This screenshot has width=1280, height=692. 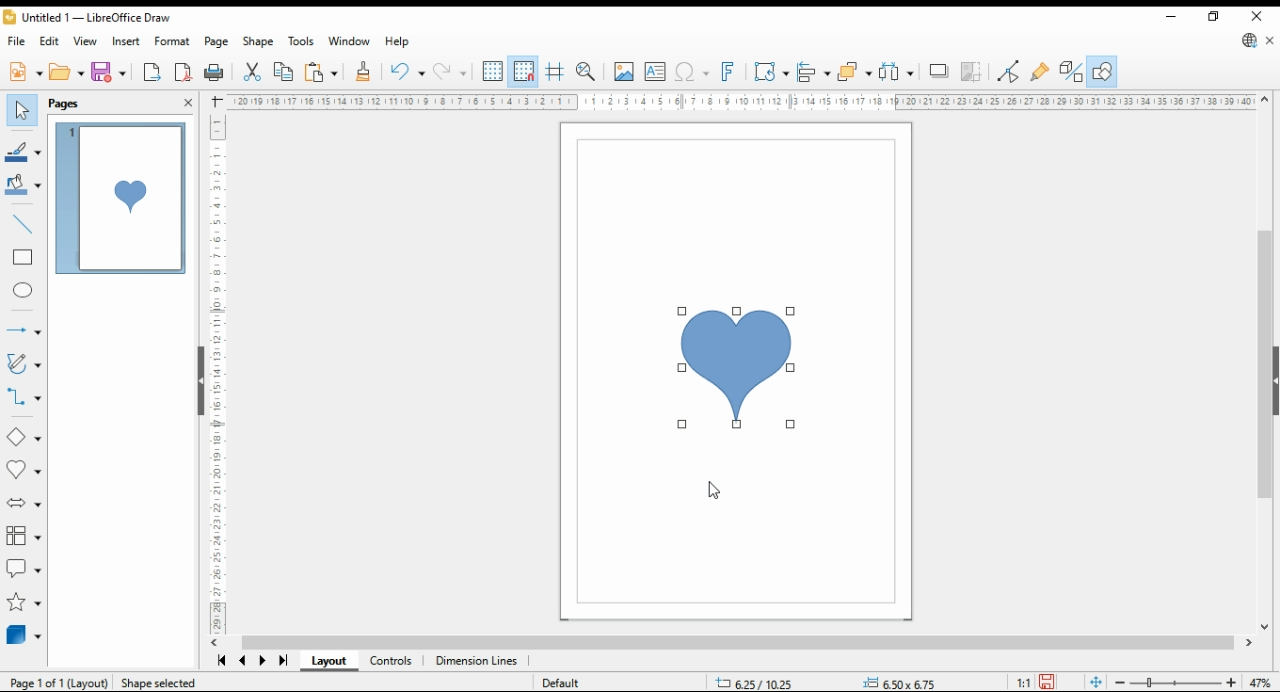 What do you see at coordinates (87, 17) in the screenshot?
I see `icon and filename` at bounding box center [87, 17].